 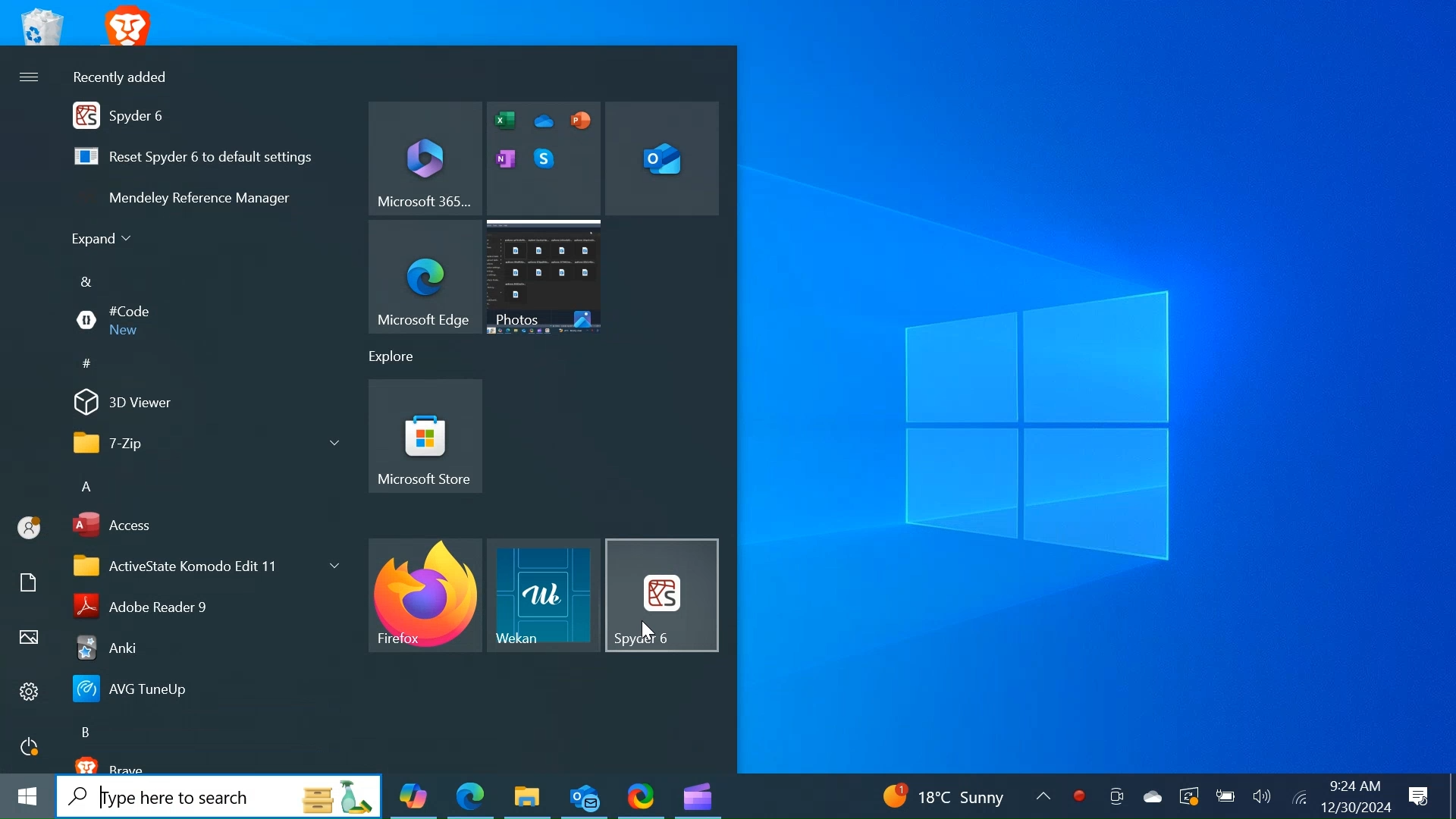 I want to click on Microsoft 365, so click(x=425, y=158).